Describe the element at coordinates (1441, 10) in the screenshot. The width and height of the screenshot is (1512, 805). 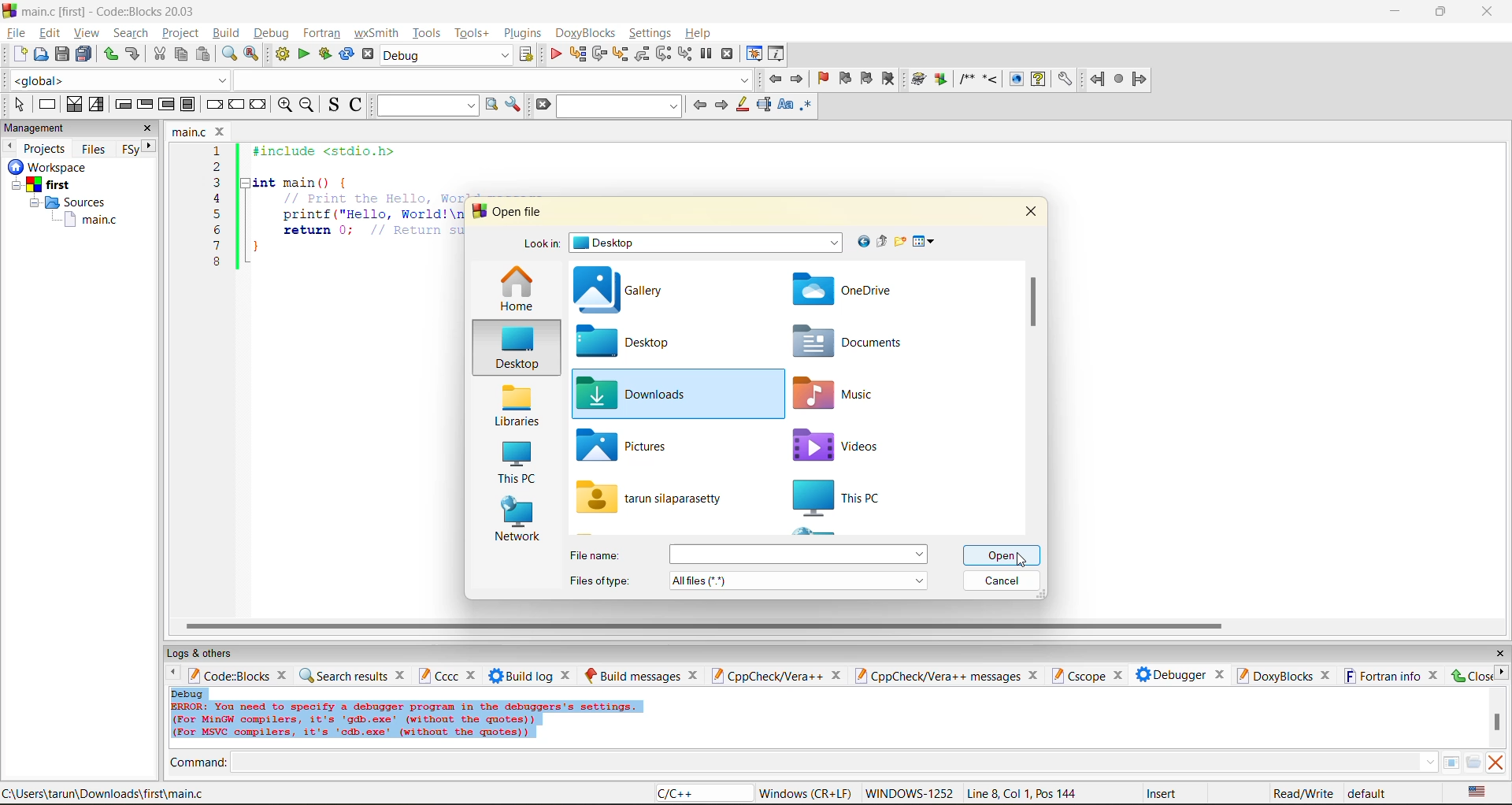
I see `resize` at that location.